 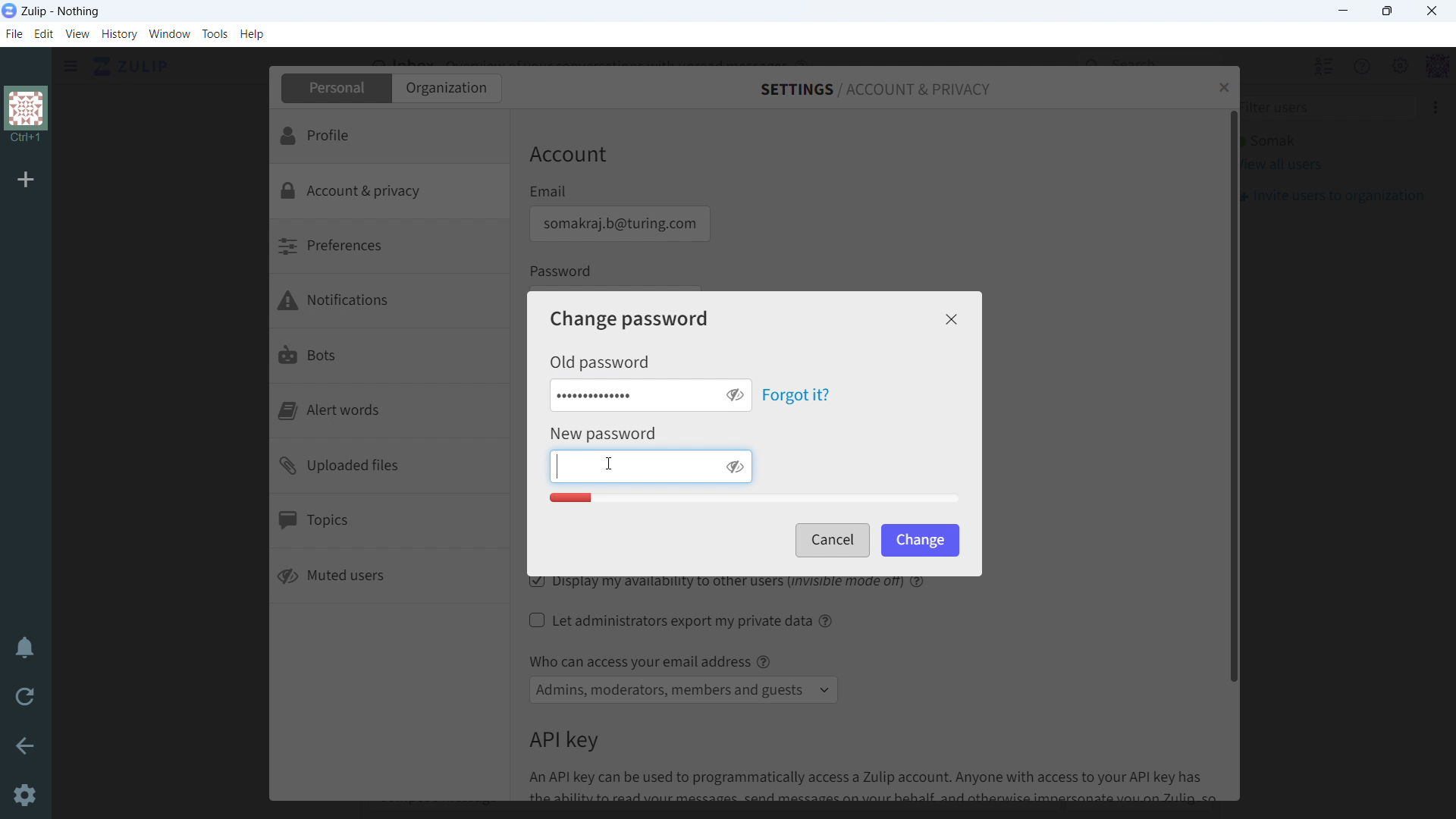 I want to click on Password quaity, so click(x=755, y=499).